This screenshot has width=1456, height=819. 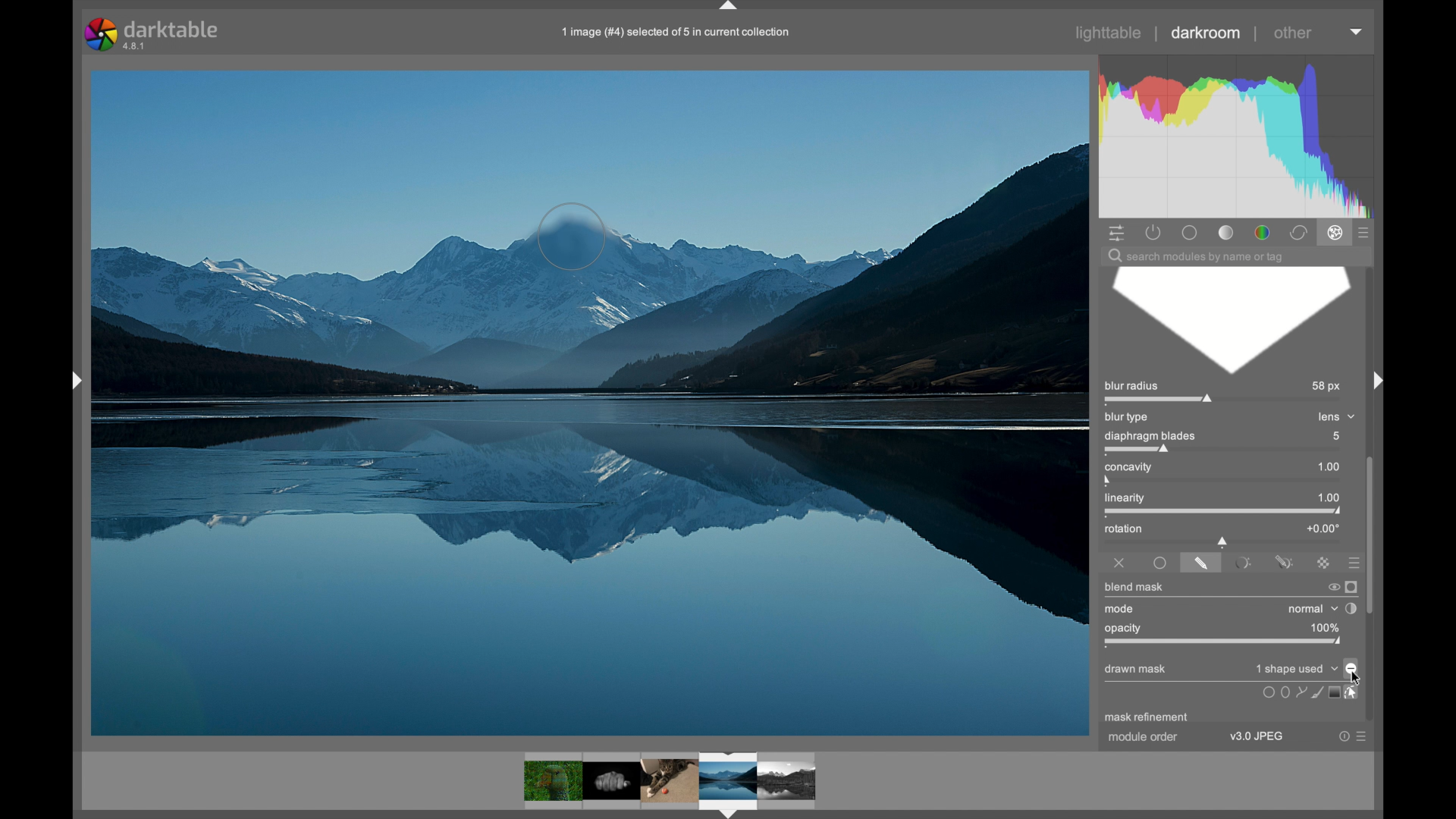 What do you see at coordinates (1124, 529) in the screenshot?
I see `rotation` at bounding box center [1124, 529].